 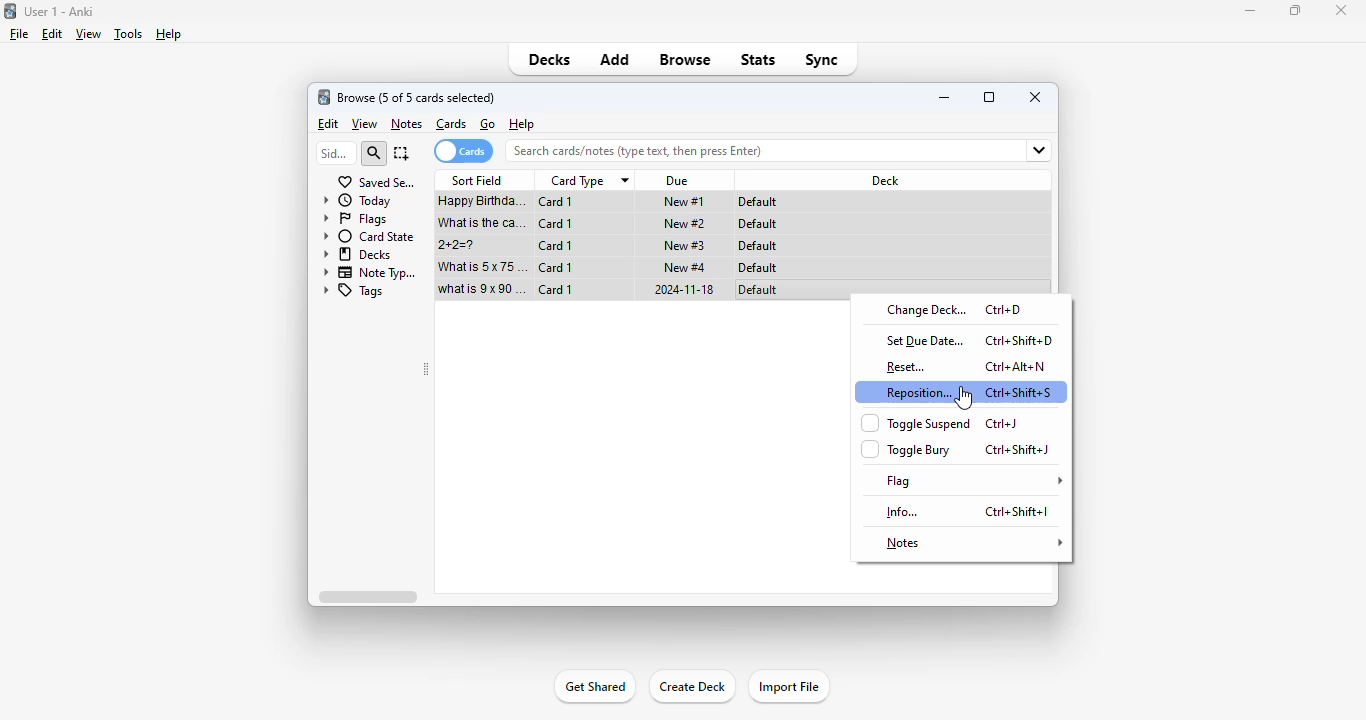 What do you see at coordinates (522, 123) in the screenshot?
I see `help` at bounding box center [522, 123].